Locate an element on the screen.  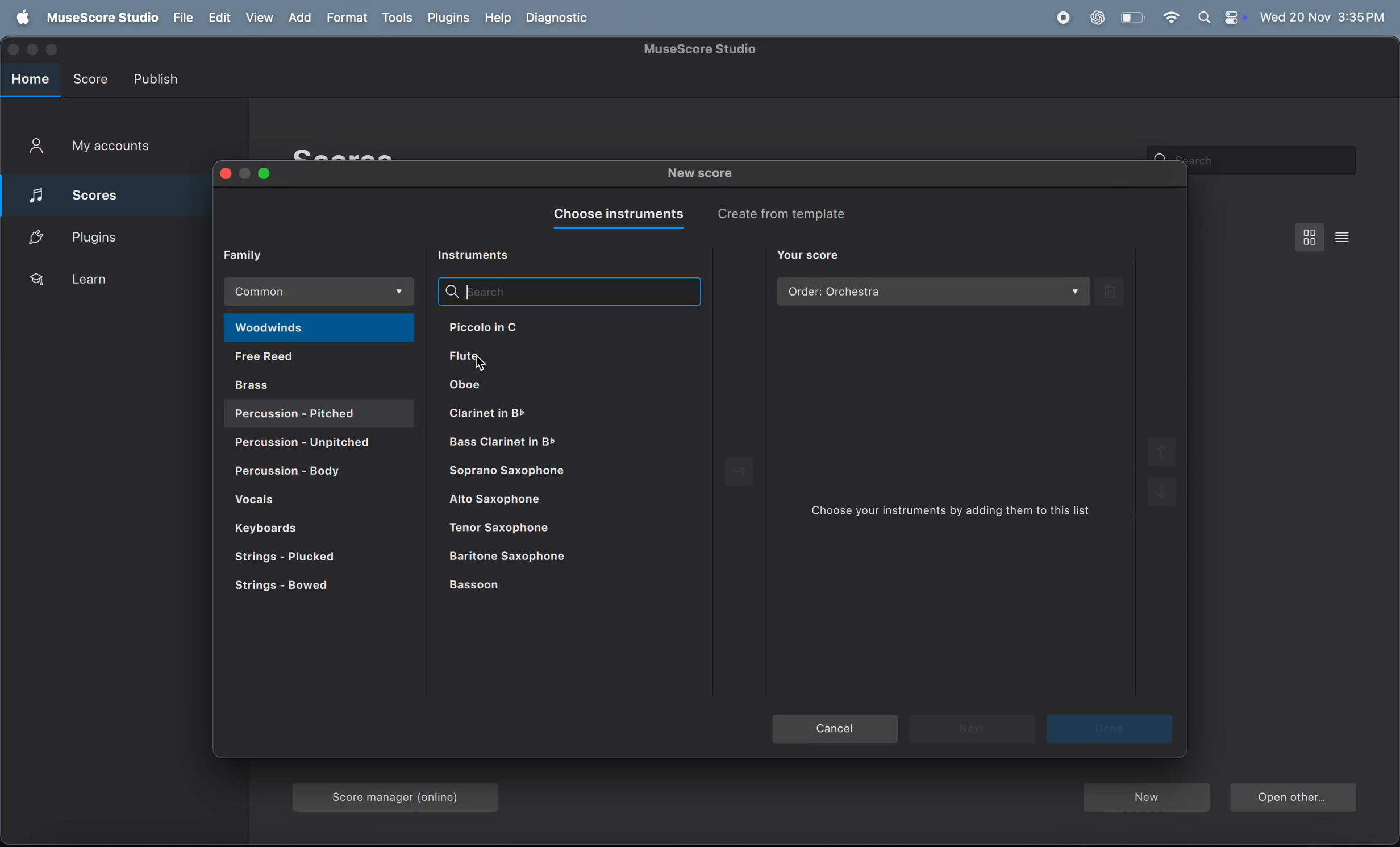
strings plucked is located at coordinates (303, 558).